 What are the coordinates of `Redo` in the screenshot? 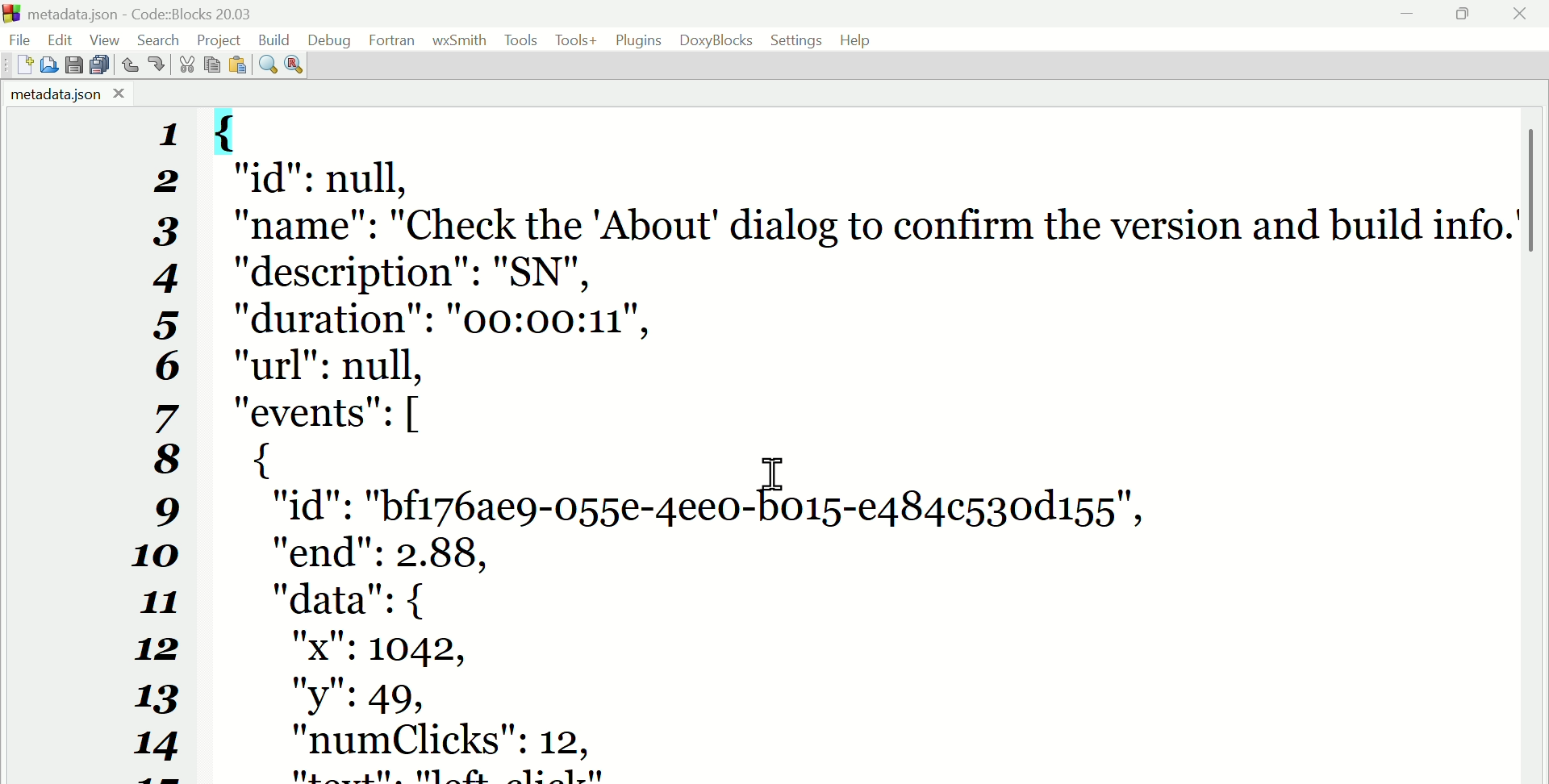 It's located at (156, 63).